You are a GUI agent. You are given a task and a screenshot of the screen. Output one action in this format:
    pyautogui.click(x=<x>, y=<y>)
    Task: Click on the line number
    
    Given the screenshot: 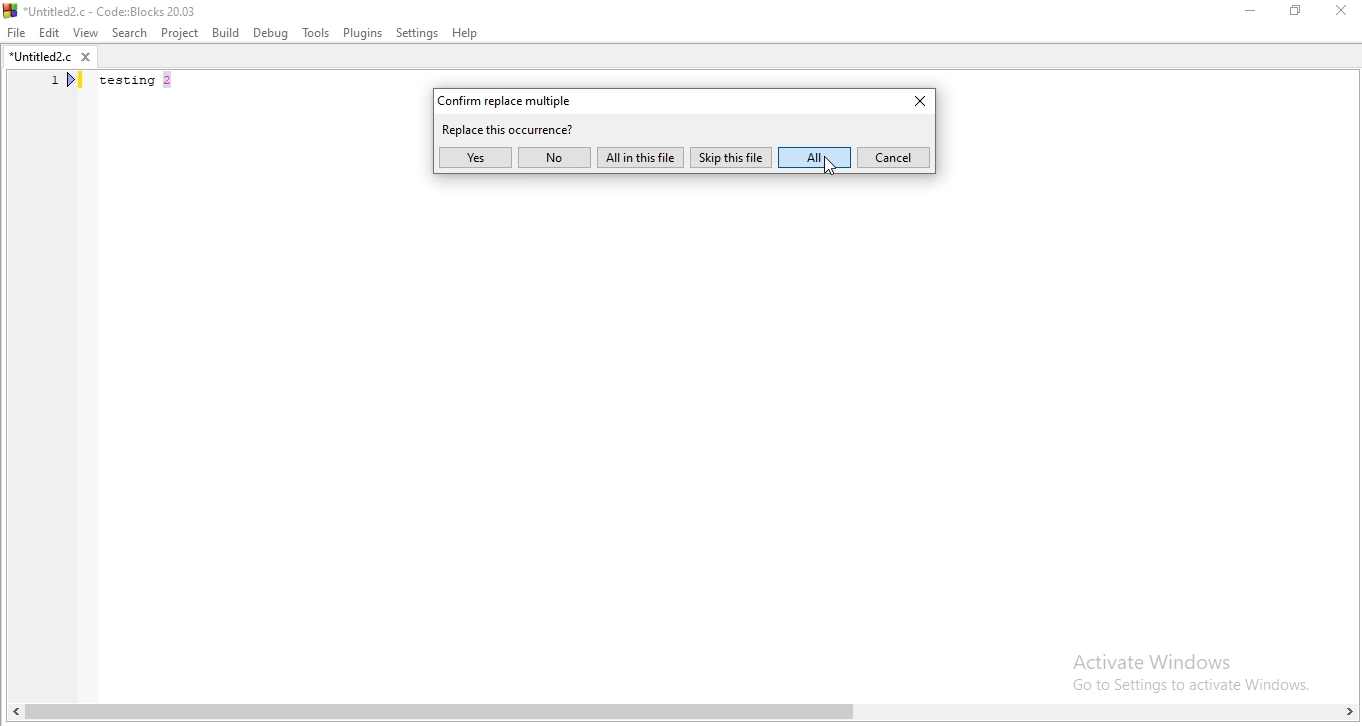 What is the action you would take?
    pyautogui.click(x=65, y=83)
    